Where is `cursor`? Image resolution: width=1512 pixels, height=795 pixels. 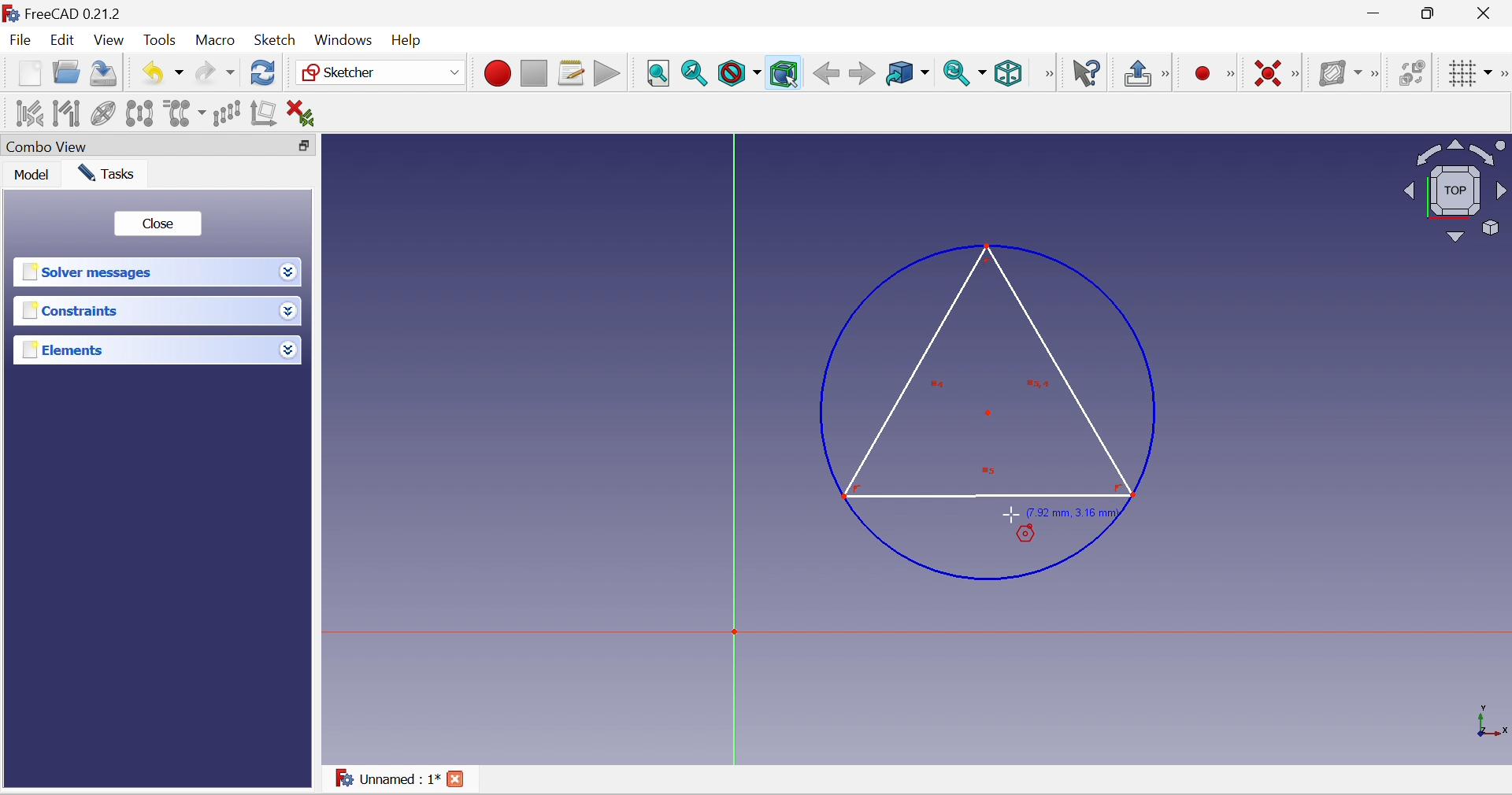 cursor is located at coordinates (1010, 515).